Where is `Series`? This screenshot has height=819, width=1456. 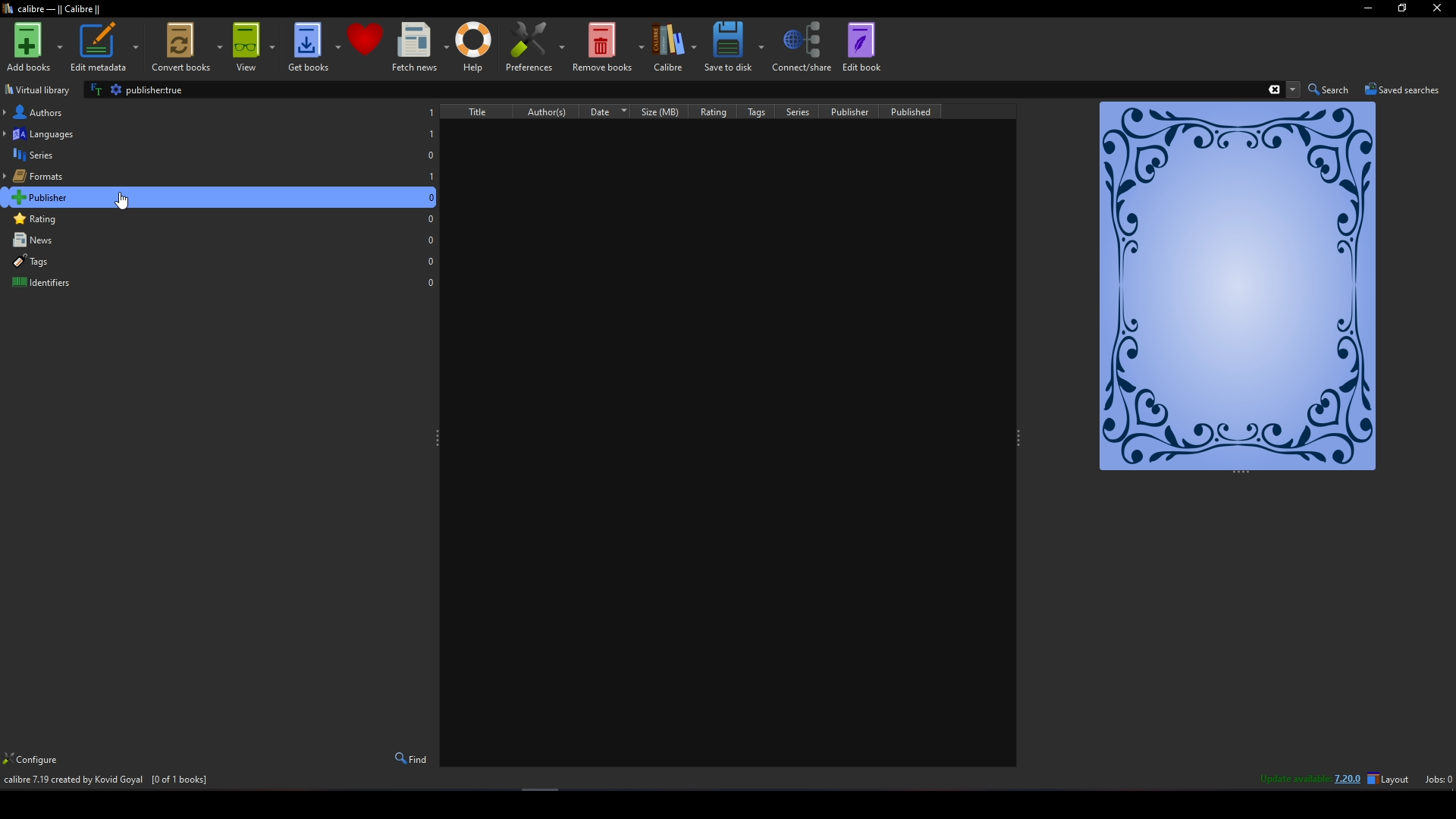 Series is located at coordinates (808, 111).